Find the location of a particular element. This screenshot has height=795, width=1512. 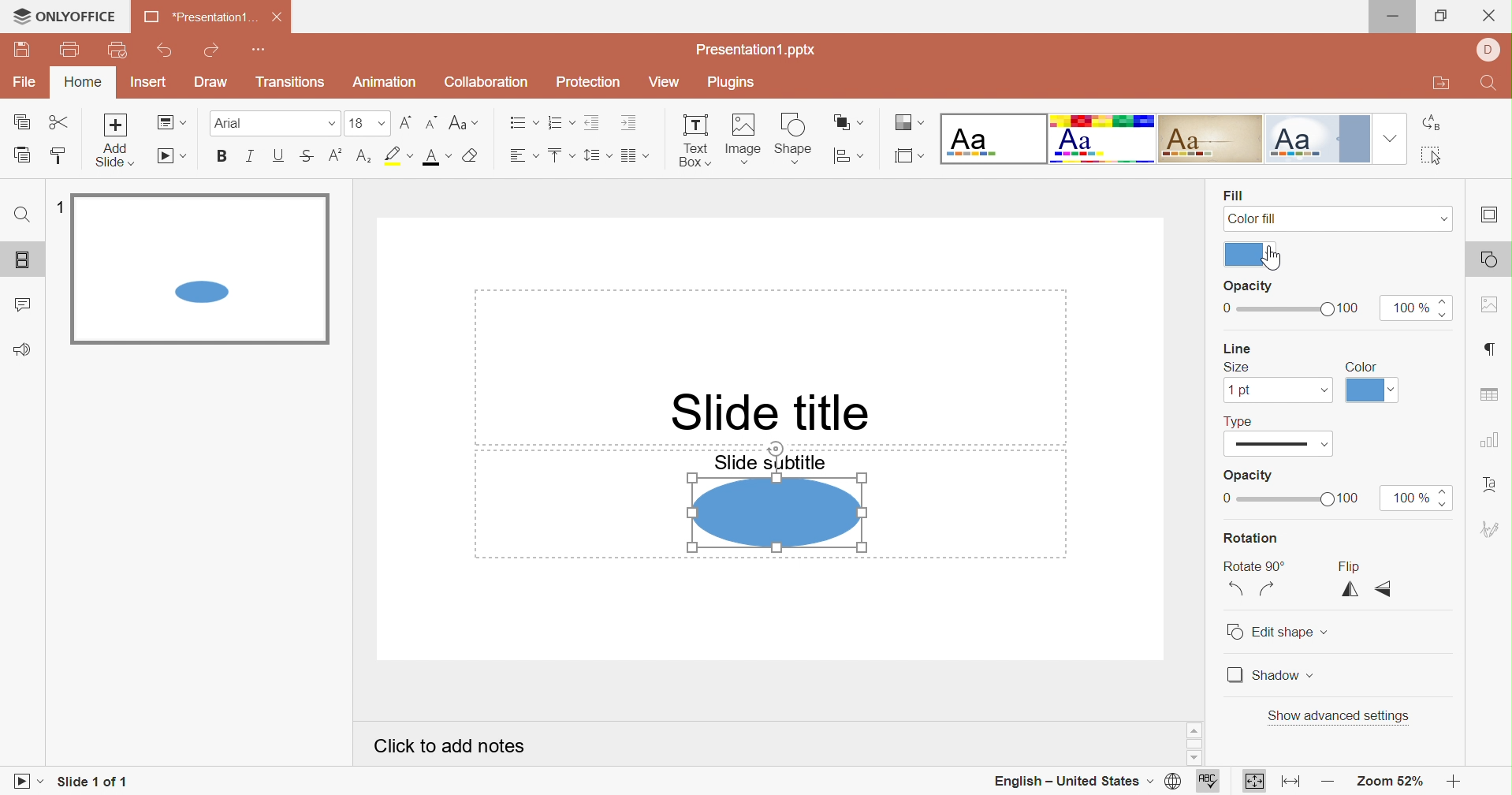

Change case is located at coordinates (462, 125).